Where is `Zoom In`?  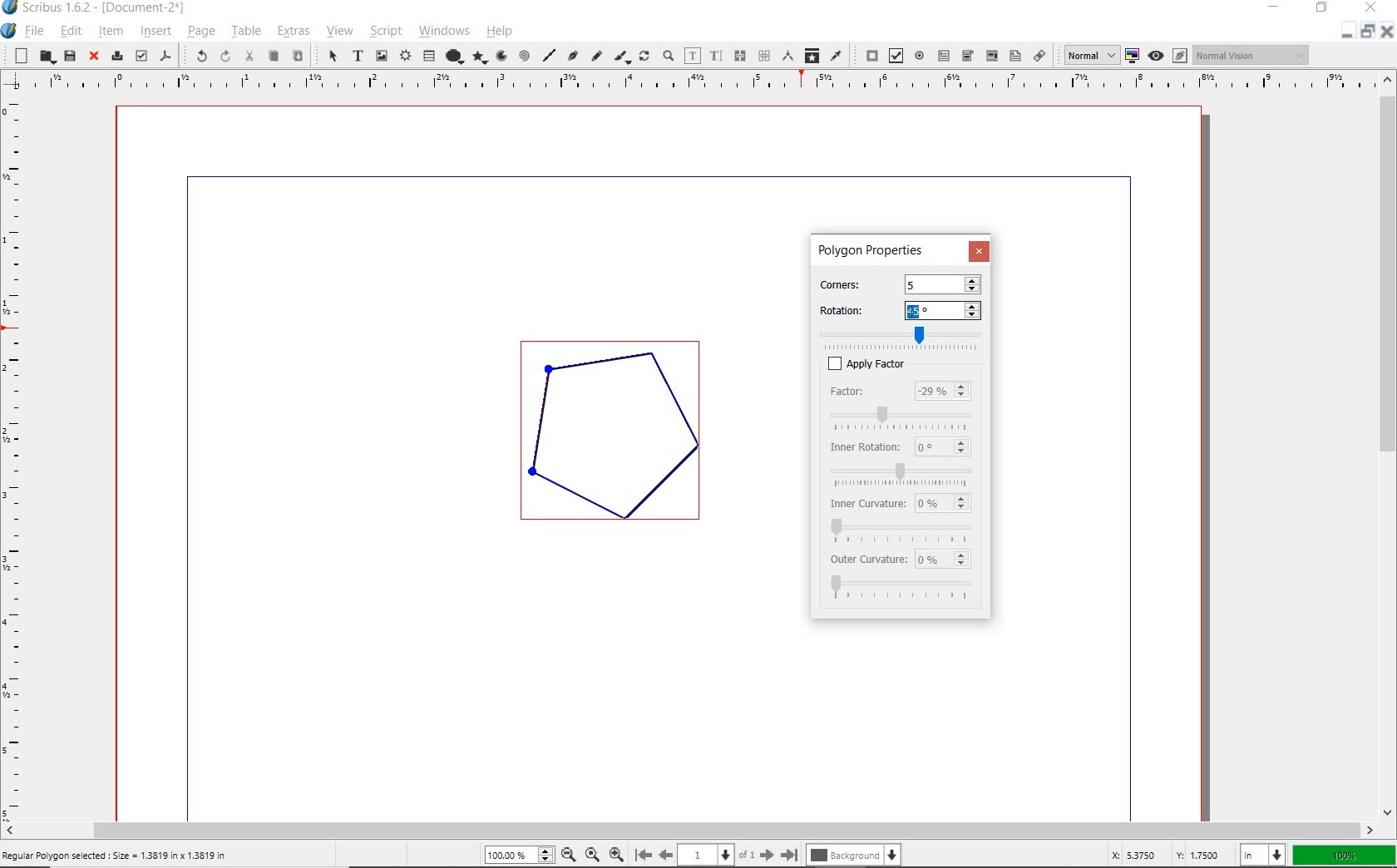
Zoom In is located at coordinates (618, 854).